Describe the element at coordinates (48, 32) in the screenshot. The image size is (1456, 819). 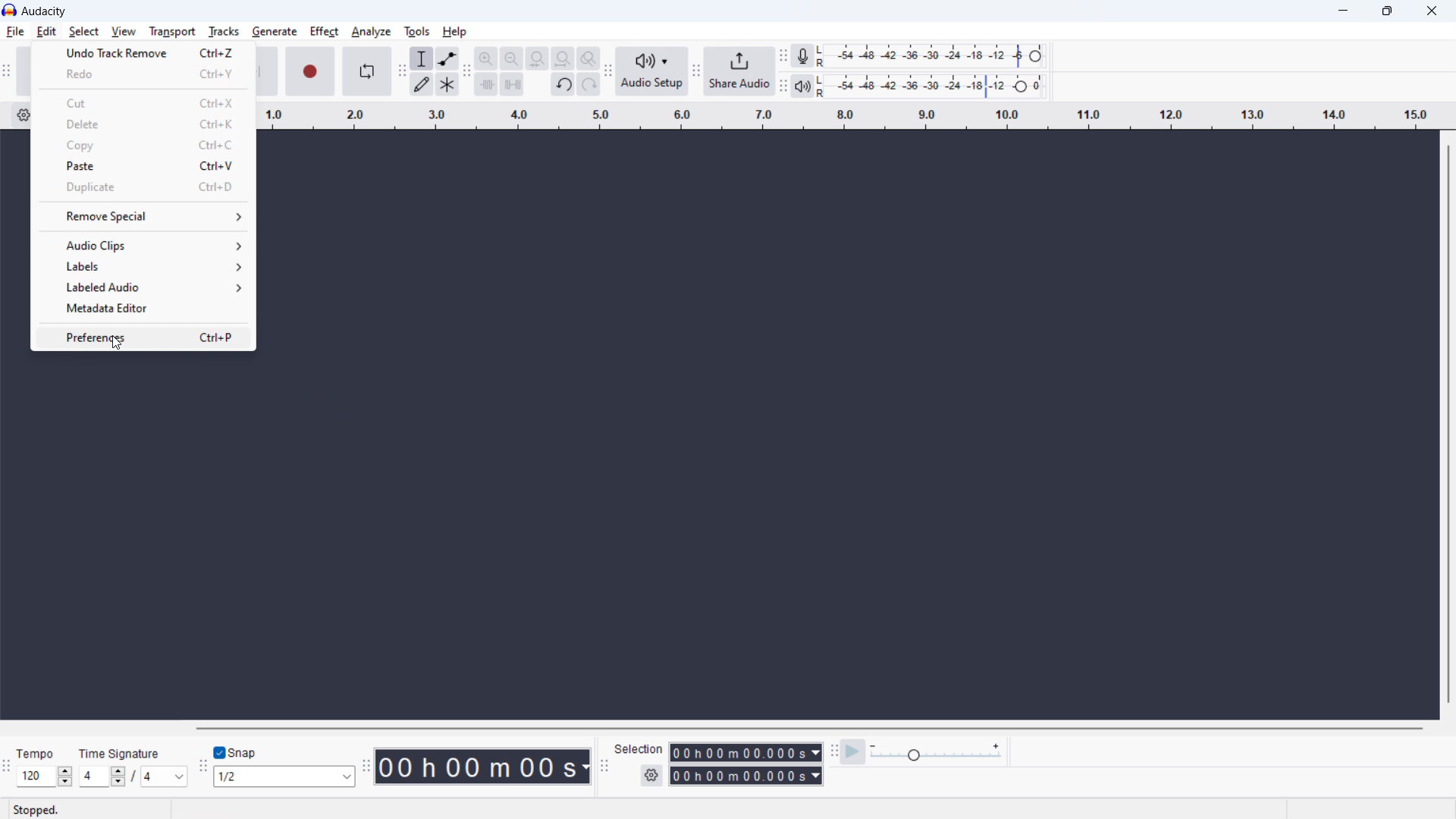
I see `Cursor on edit` at that location.